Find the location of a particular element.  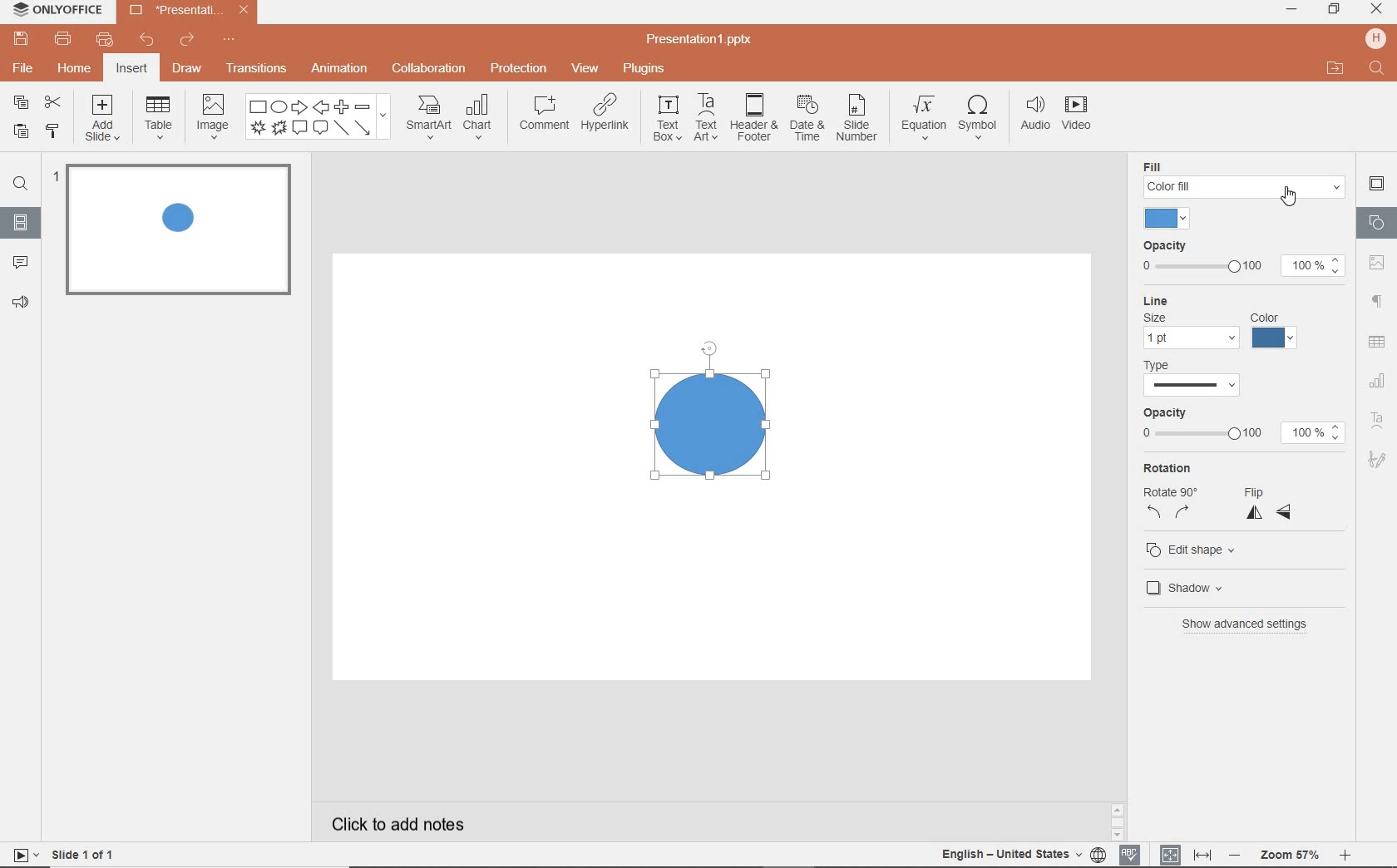

edit shape is located at coordinates (1195, 550).